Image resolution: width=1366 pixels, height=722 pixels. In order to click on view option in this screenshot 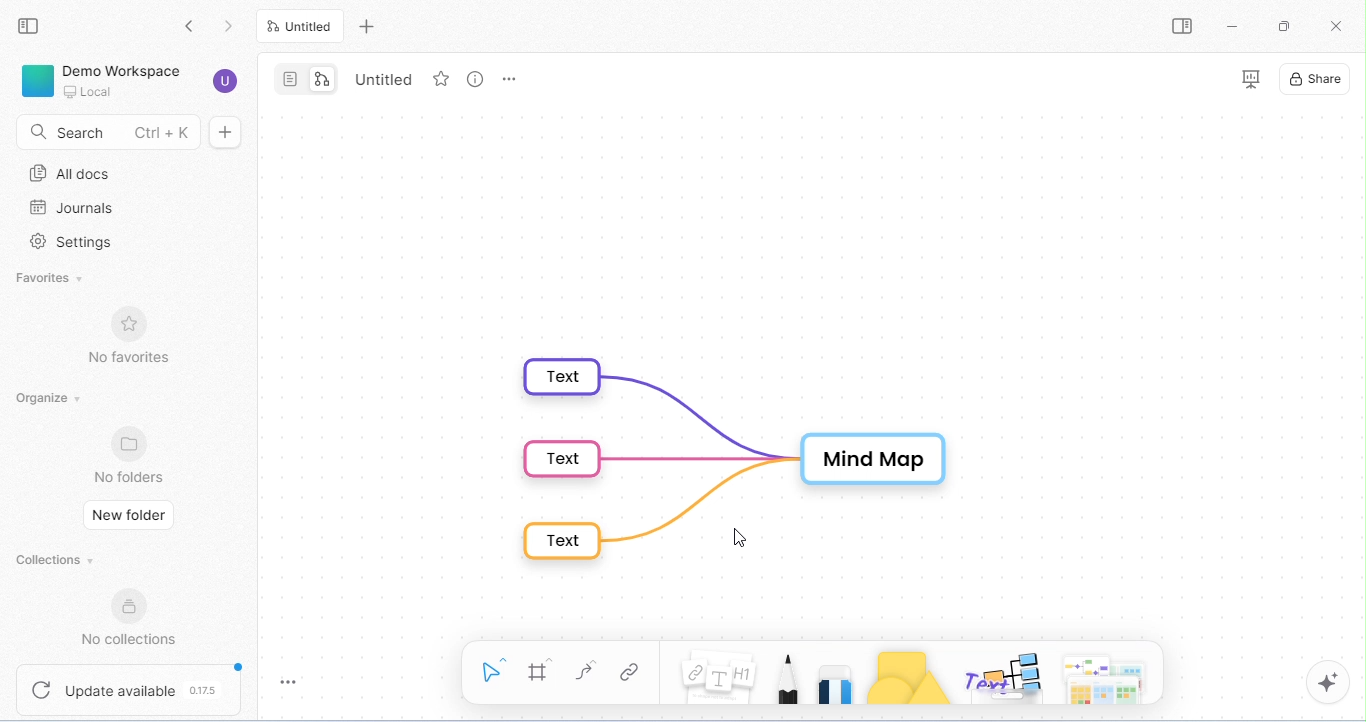, I will do `click(477, 83)`.